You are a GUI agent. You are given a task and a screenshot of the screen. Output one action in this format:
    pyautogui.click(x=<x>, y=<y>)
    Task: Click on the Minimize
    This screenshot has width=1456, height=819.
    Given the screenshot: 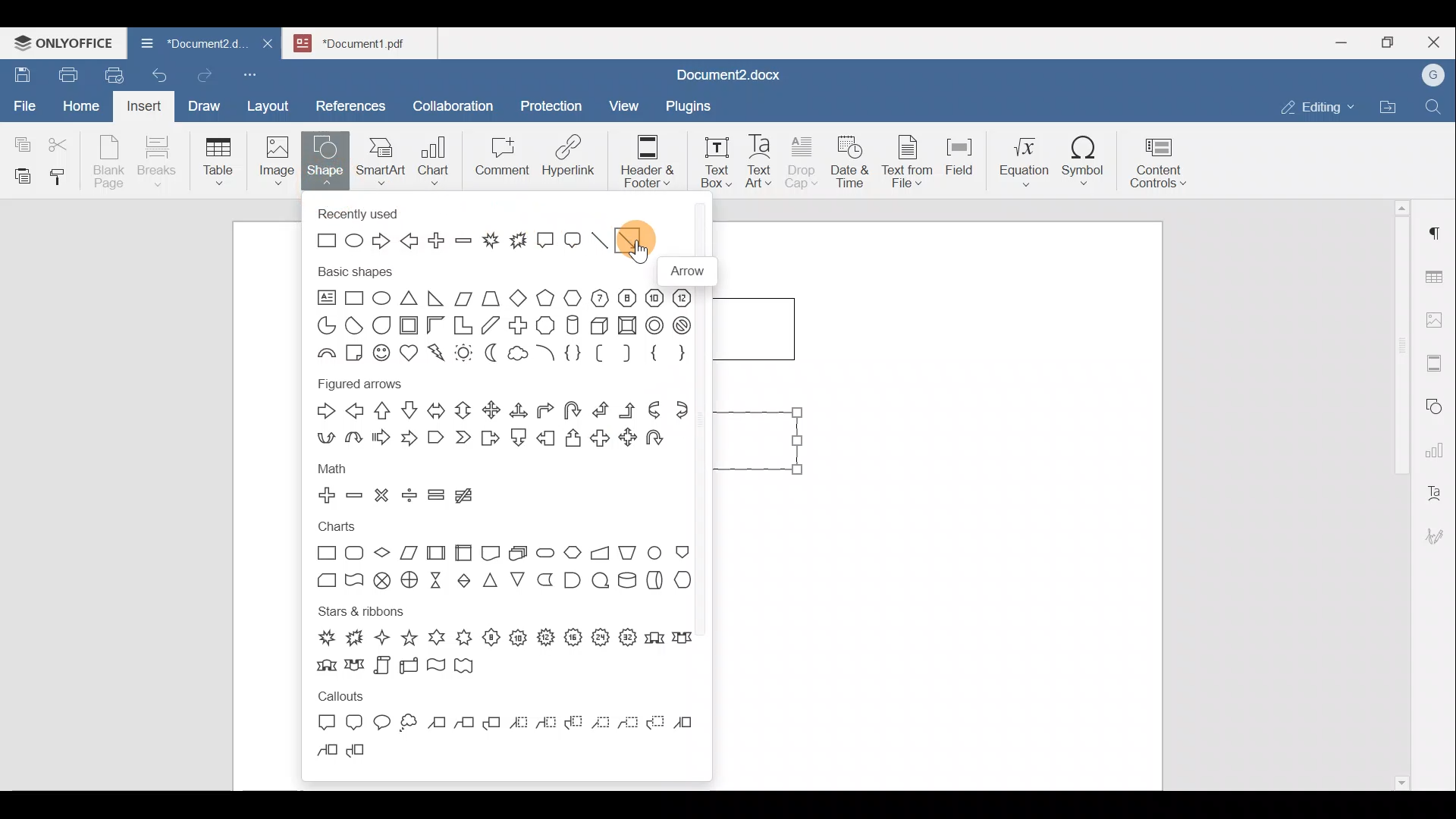 What is the action you would take?
    pyautogui.click(x=1341, y=41)
    